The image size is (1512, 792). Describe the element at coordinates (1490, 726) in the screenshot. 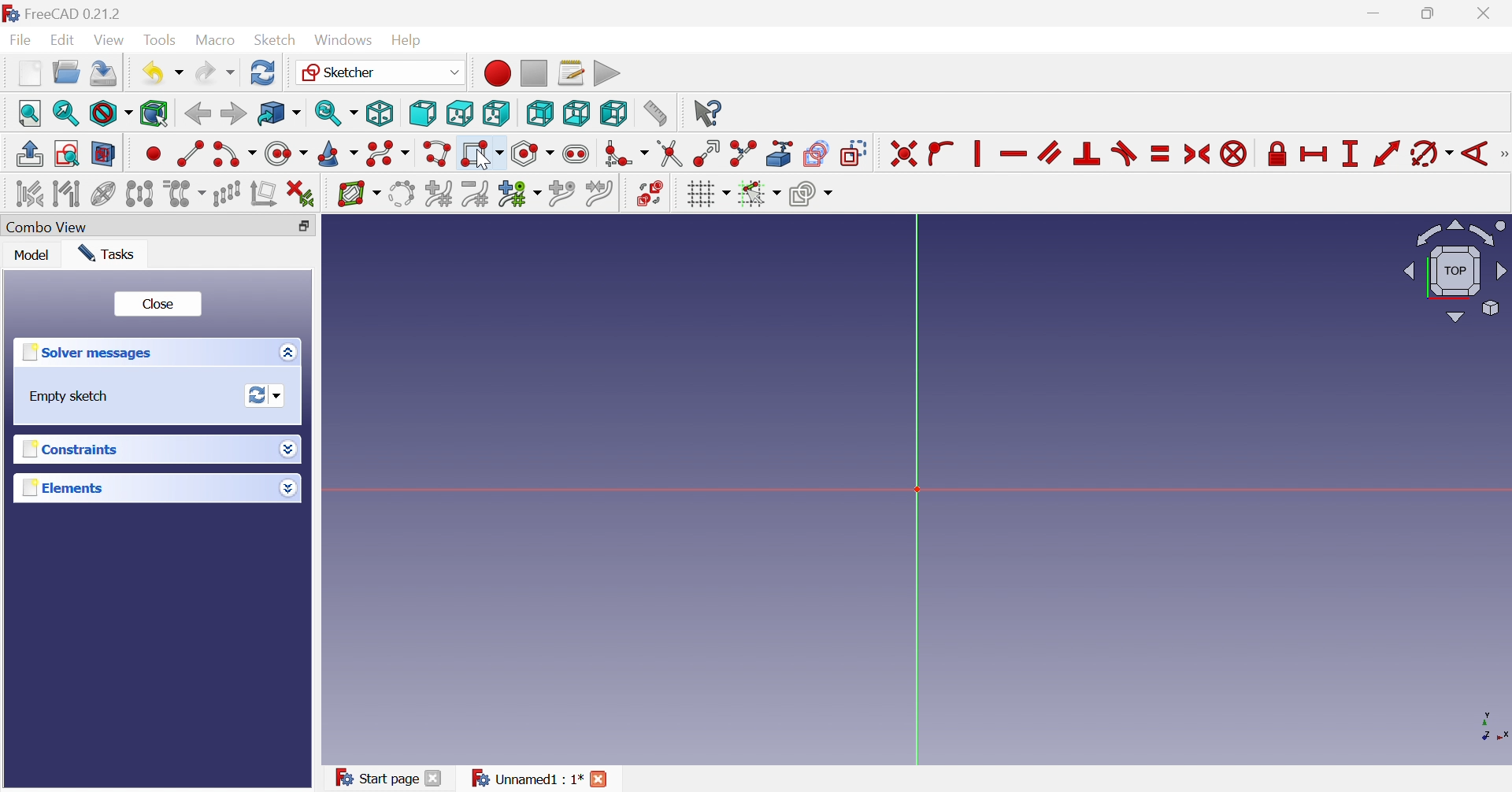

I see `x, y axis` at that location.